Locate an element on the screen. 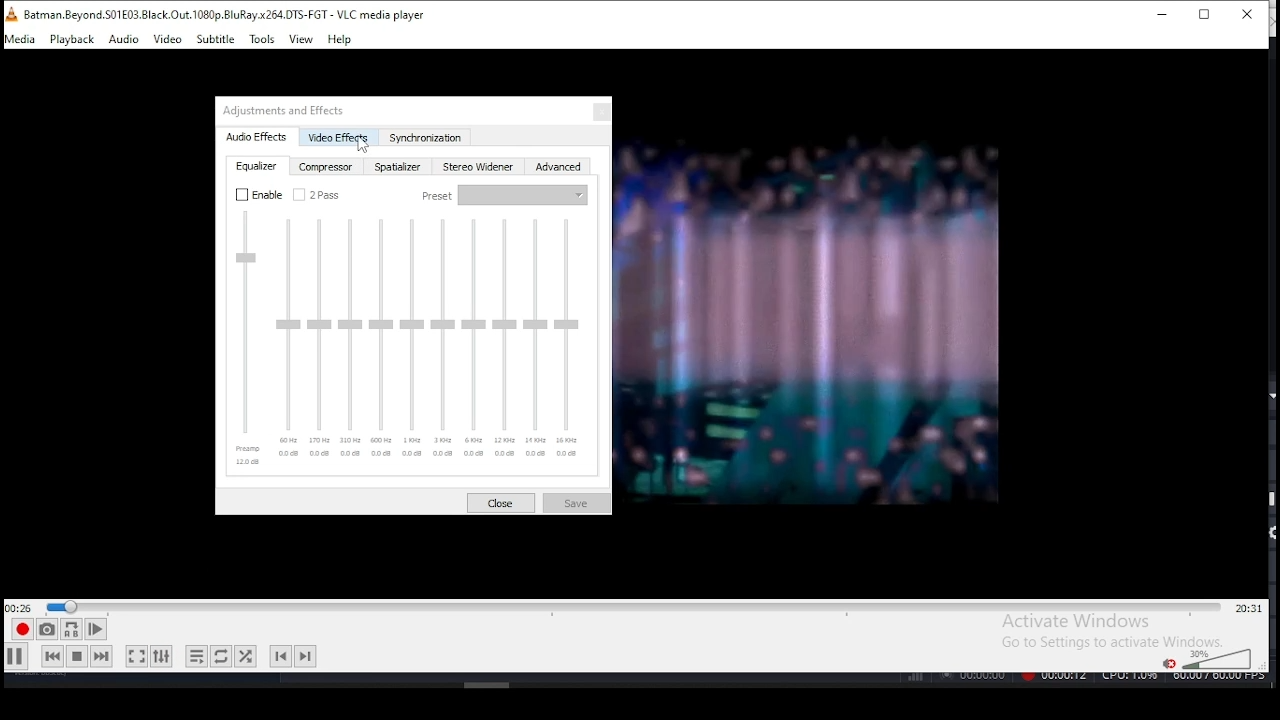 Image resolution: width=1280 pixels, height=720 pixels. media is located at coordinates (21, 39).